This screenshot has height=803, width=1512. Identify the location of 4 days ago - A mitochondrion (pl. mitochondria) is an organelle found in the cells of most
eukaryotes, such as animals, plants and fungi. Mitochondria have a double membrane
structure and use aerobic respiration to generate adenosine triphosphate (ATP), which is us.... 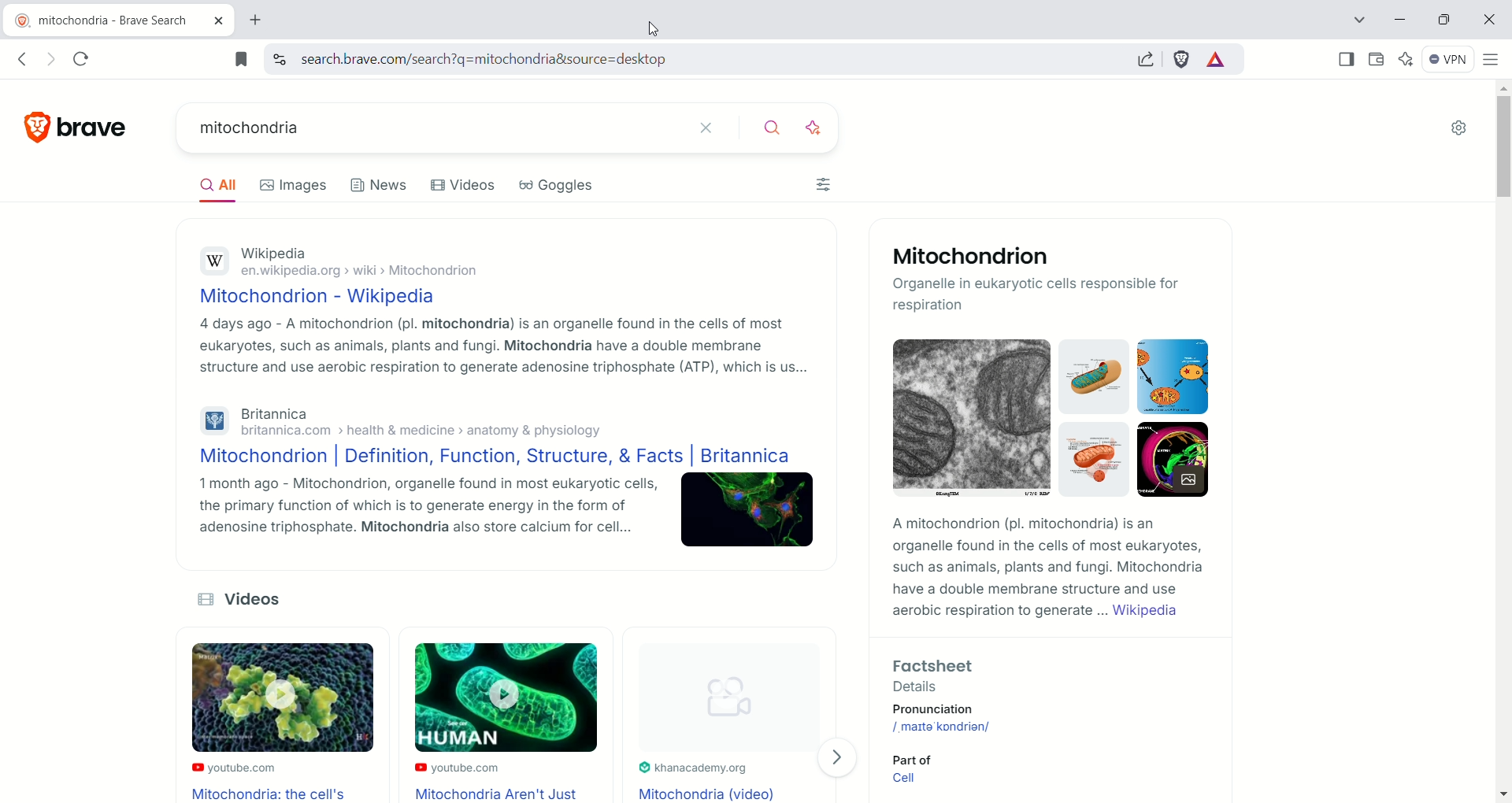
(499, 347).